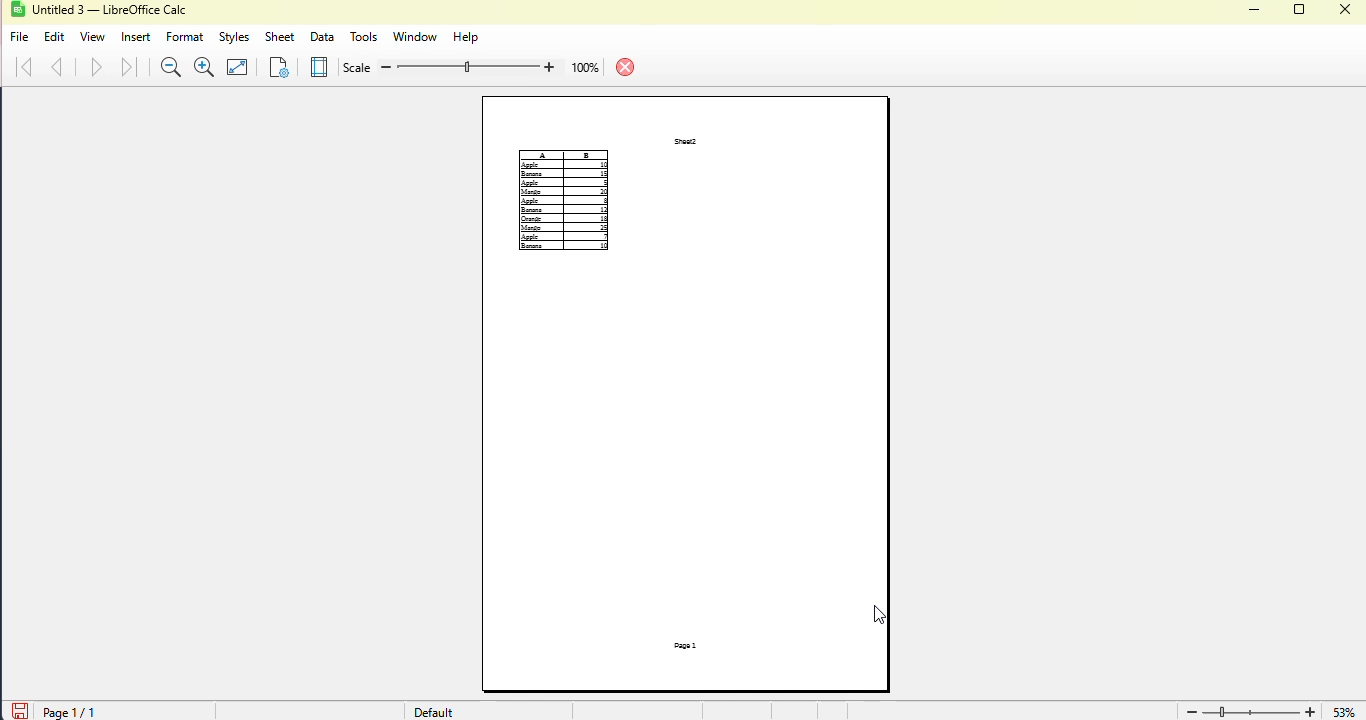 This screenshot has height=720, width=1366. I want to click on format, so click(185, 37).